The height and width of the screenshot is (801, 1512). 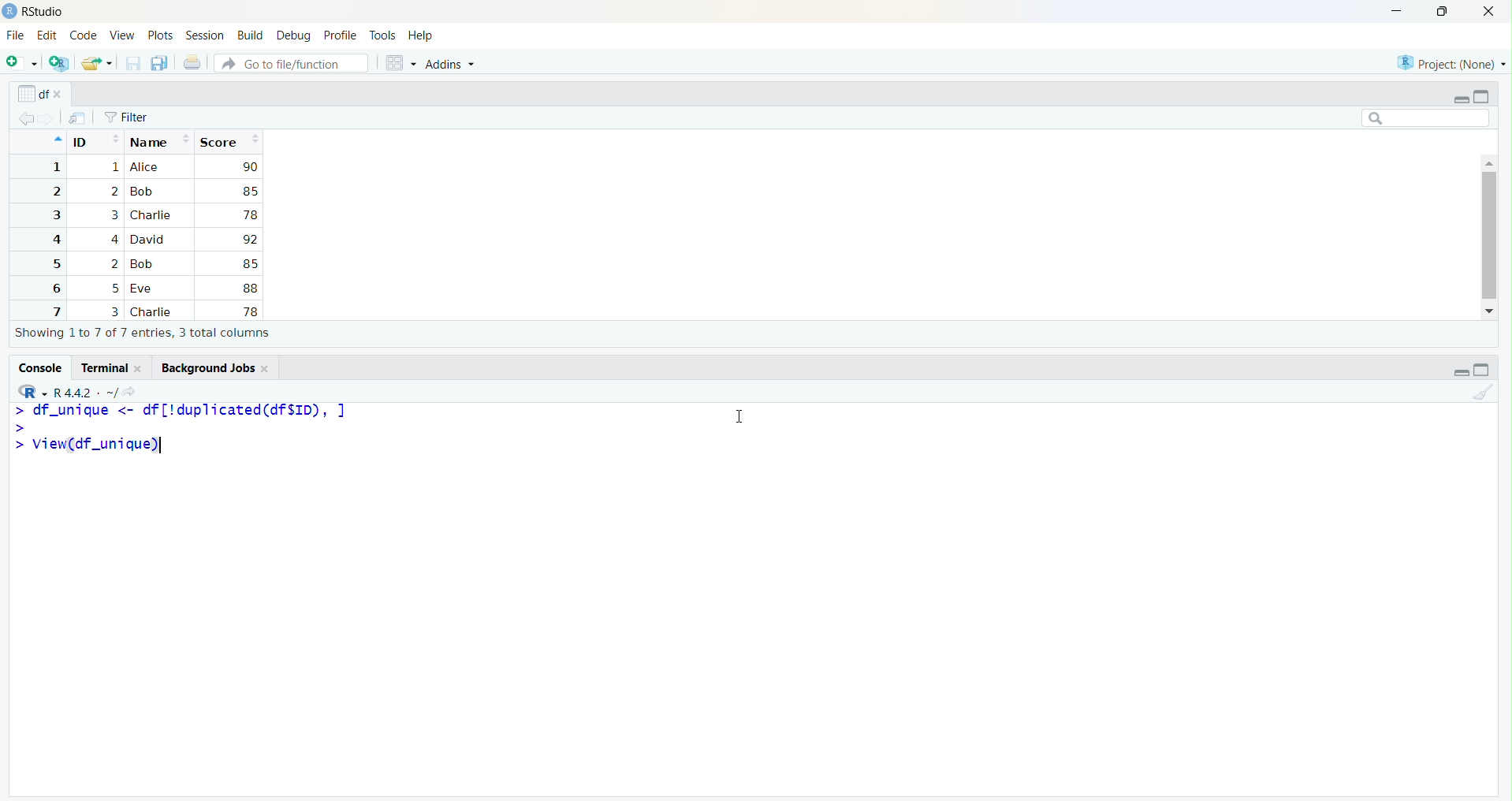 I want to click on search bar, so click(x=1426, y=117).